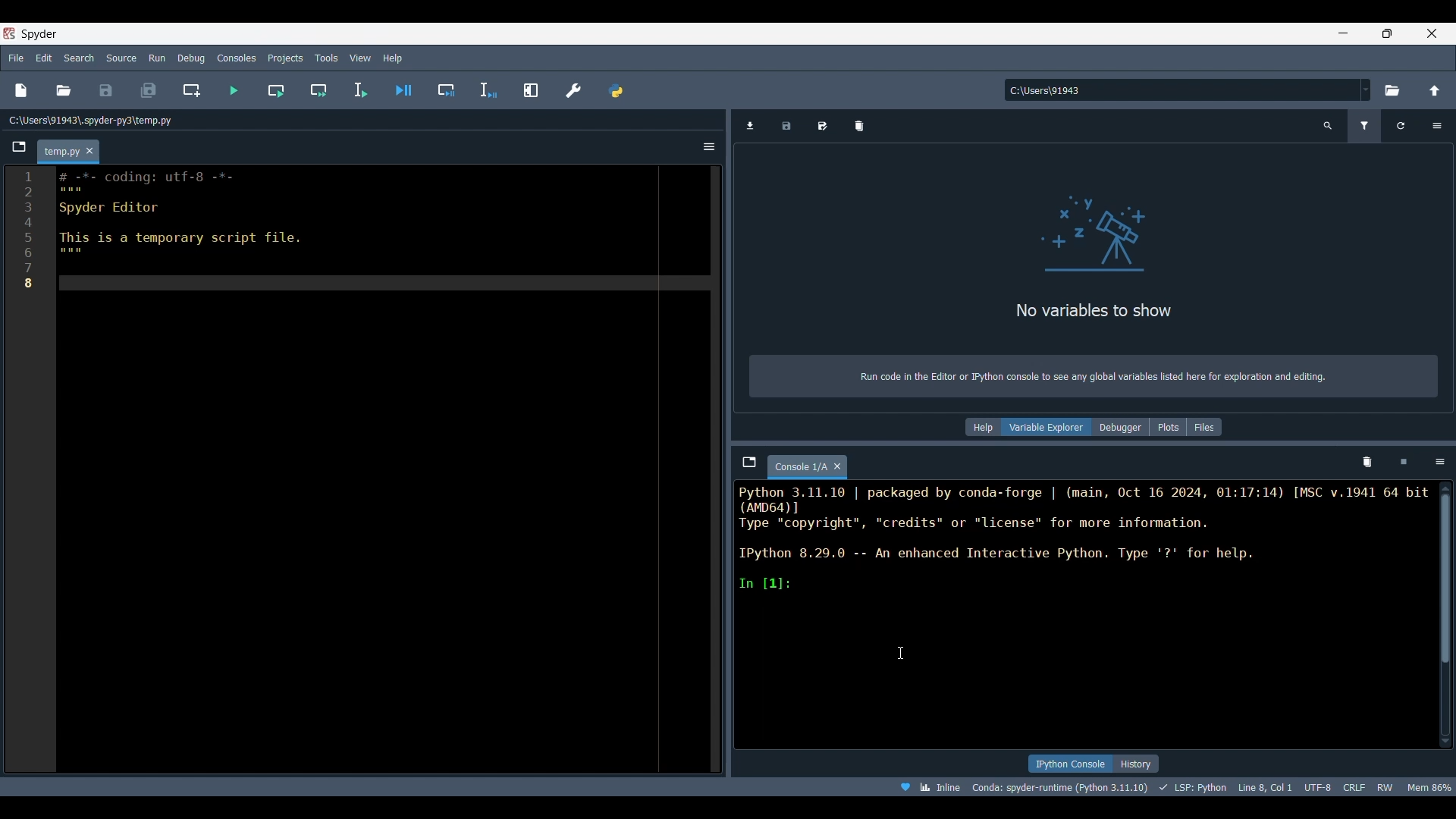 Image resolution: width=1456 pixels, height=819 pixels. I want to click on Options, so click(1440, 462).